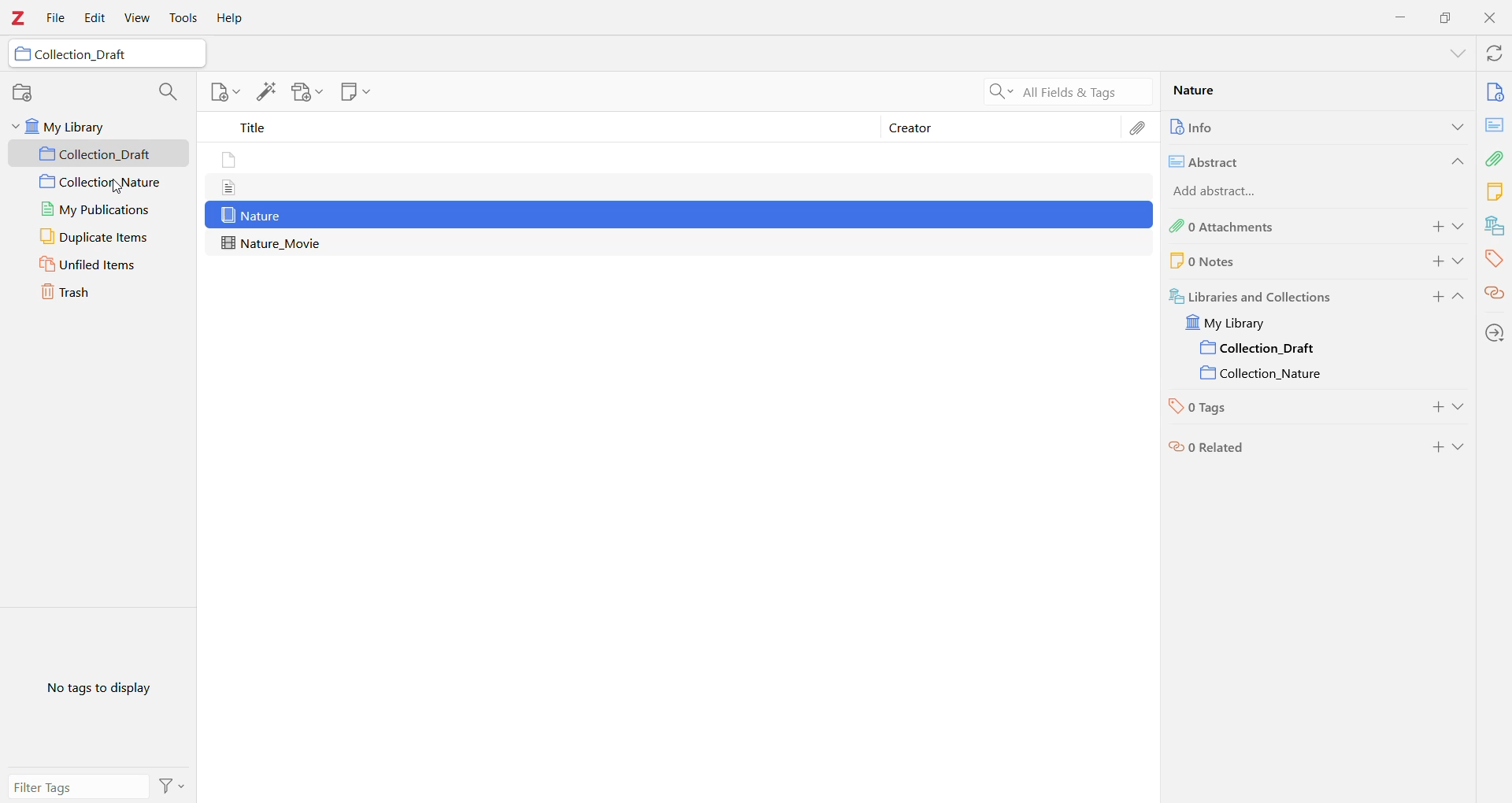 This screenshot has width=1512, height=803. I want to click on Close, so click(1490, 18).